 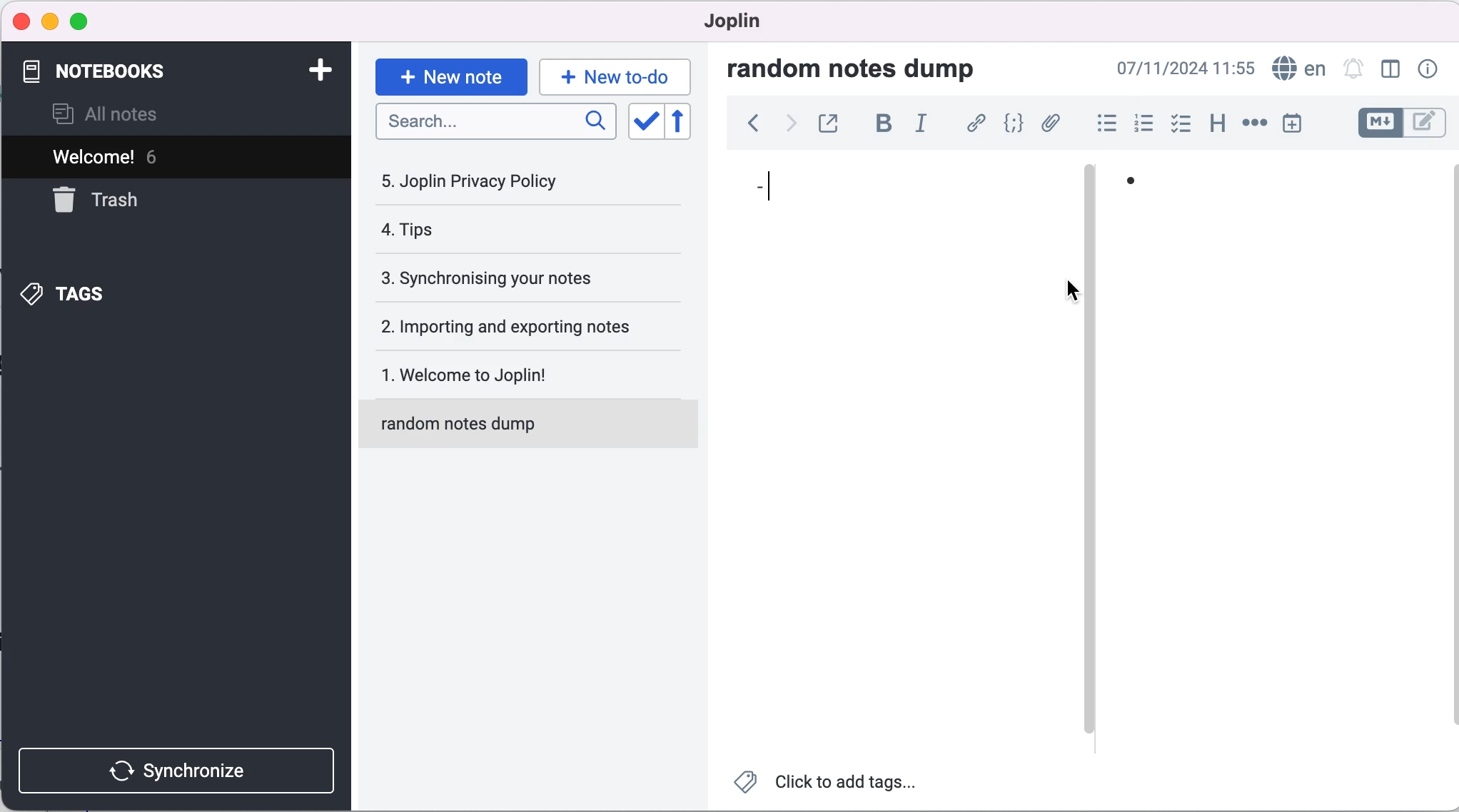 I want to click on reverse sort order, so click(x=690, y=122).